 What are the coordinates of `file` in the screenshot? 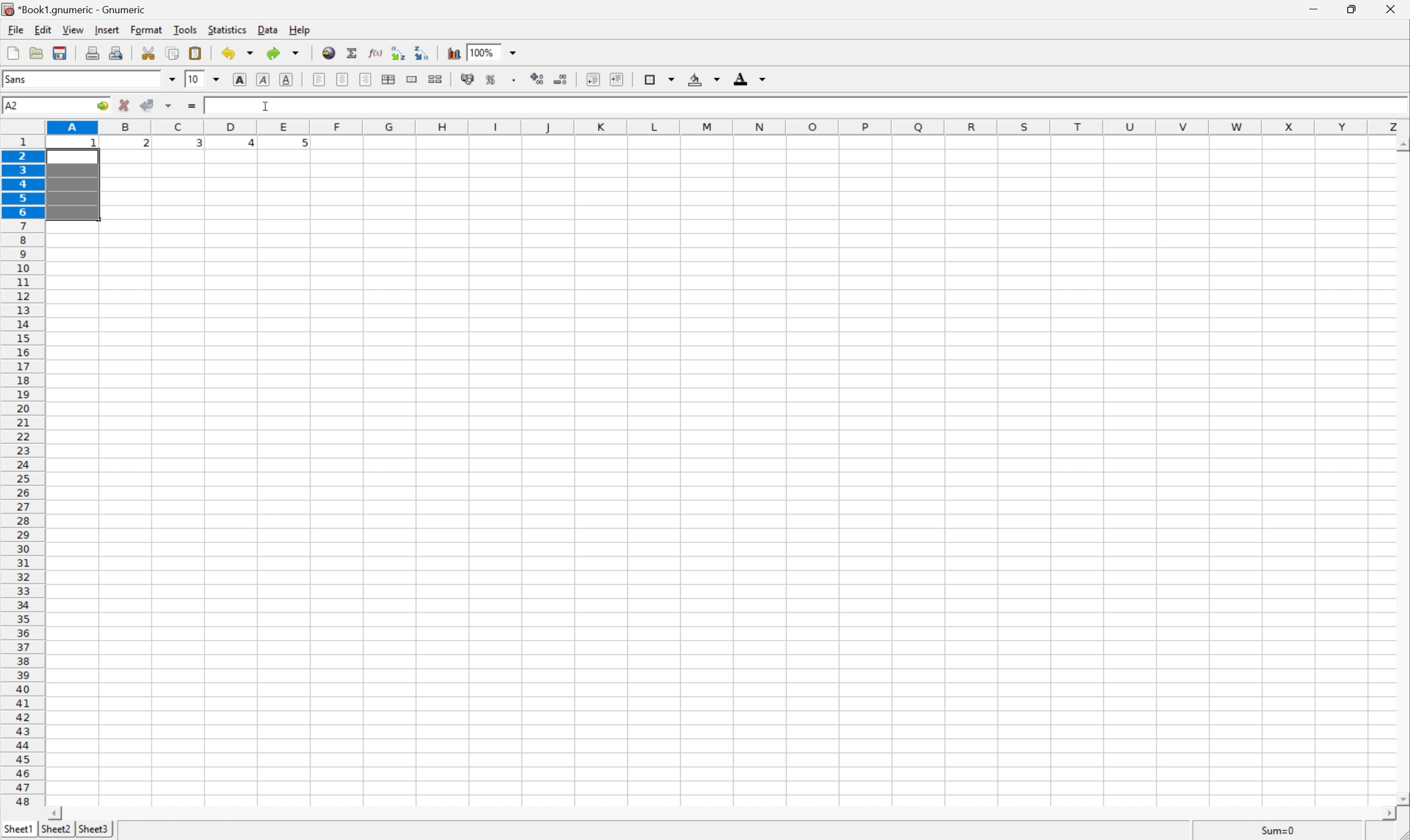 It's located at (11, 29).